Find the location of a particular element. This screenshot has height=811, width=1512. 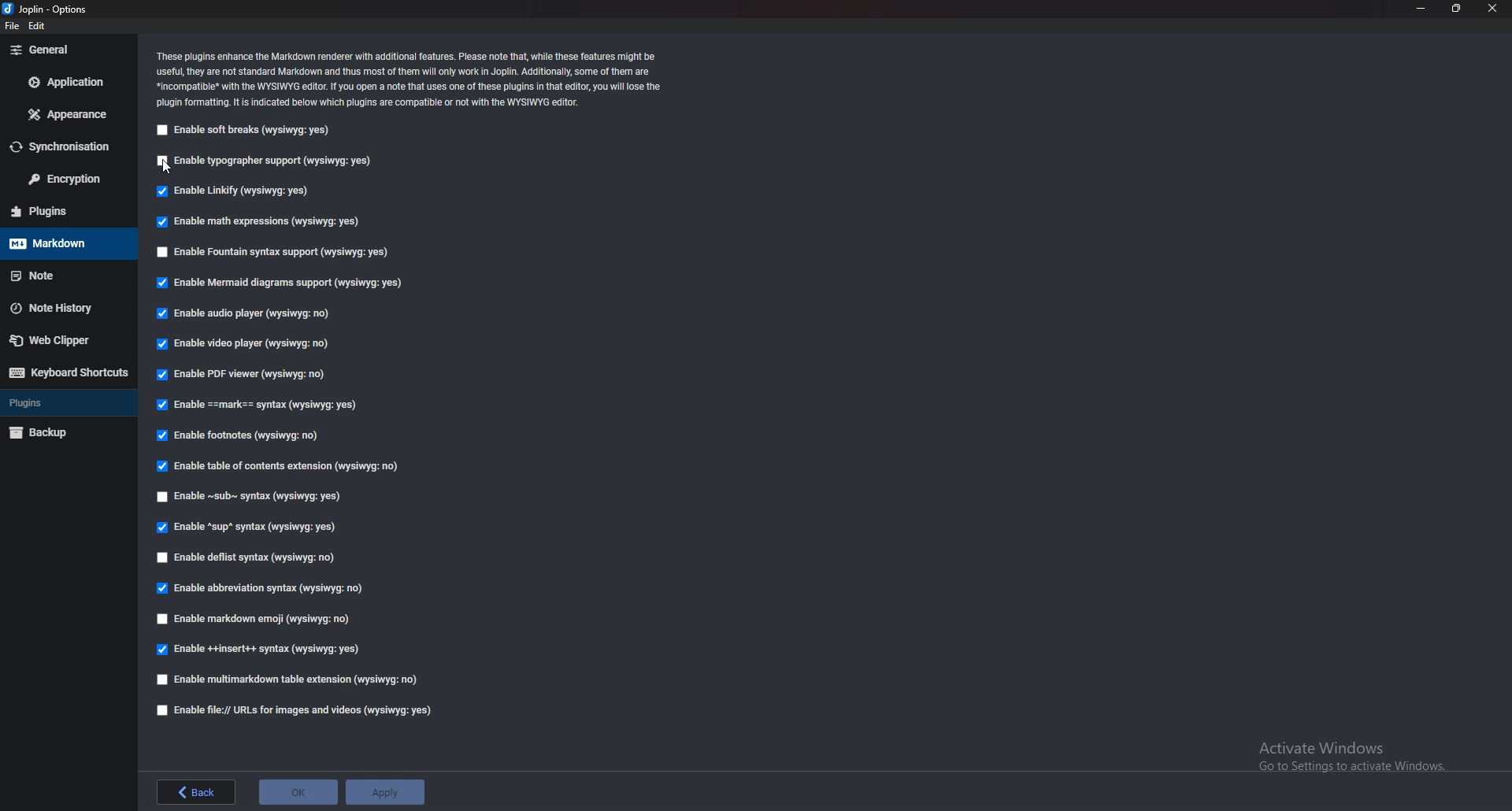

enable linkify is located at coordinates (232, 191).